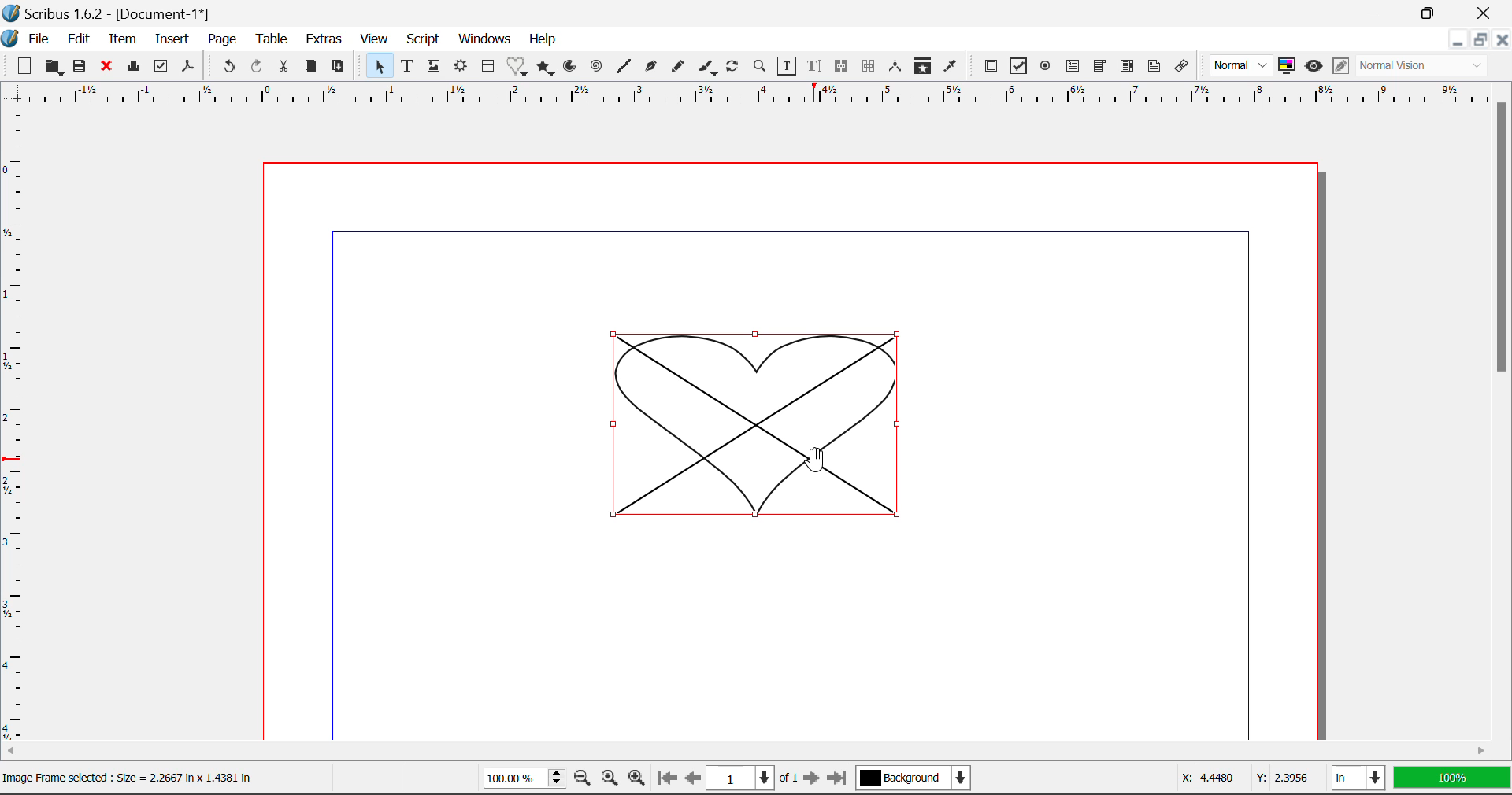 The image size is (1512, 795). I want to click on Image Frame selected : Size = 2.2667 in x 1.4381 in, so click(128, 778).